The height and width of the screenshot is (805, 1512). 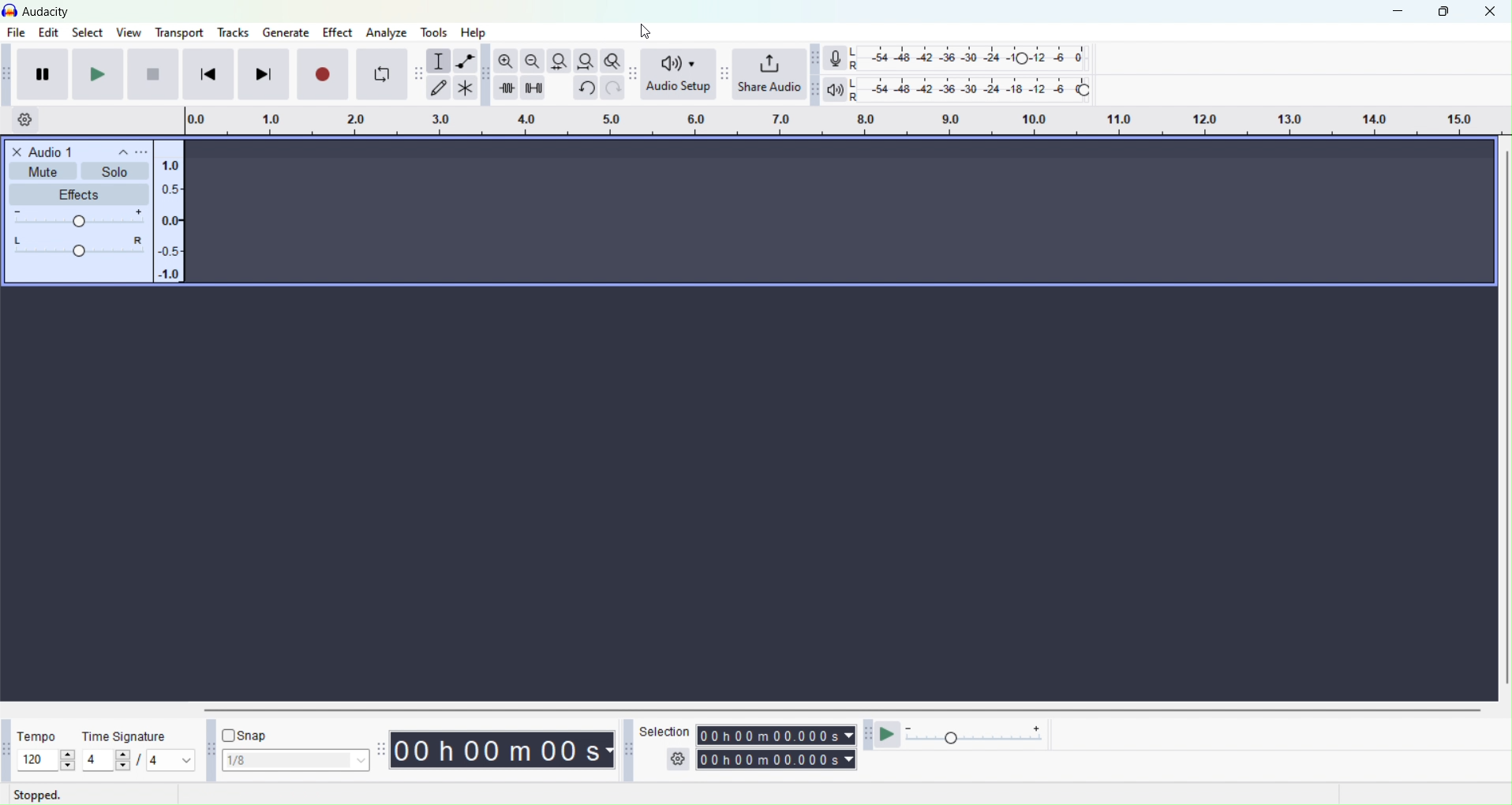 I want to click on Analyze, so click(x=385, y=32).